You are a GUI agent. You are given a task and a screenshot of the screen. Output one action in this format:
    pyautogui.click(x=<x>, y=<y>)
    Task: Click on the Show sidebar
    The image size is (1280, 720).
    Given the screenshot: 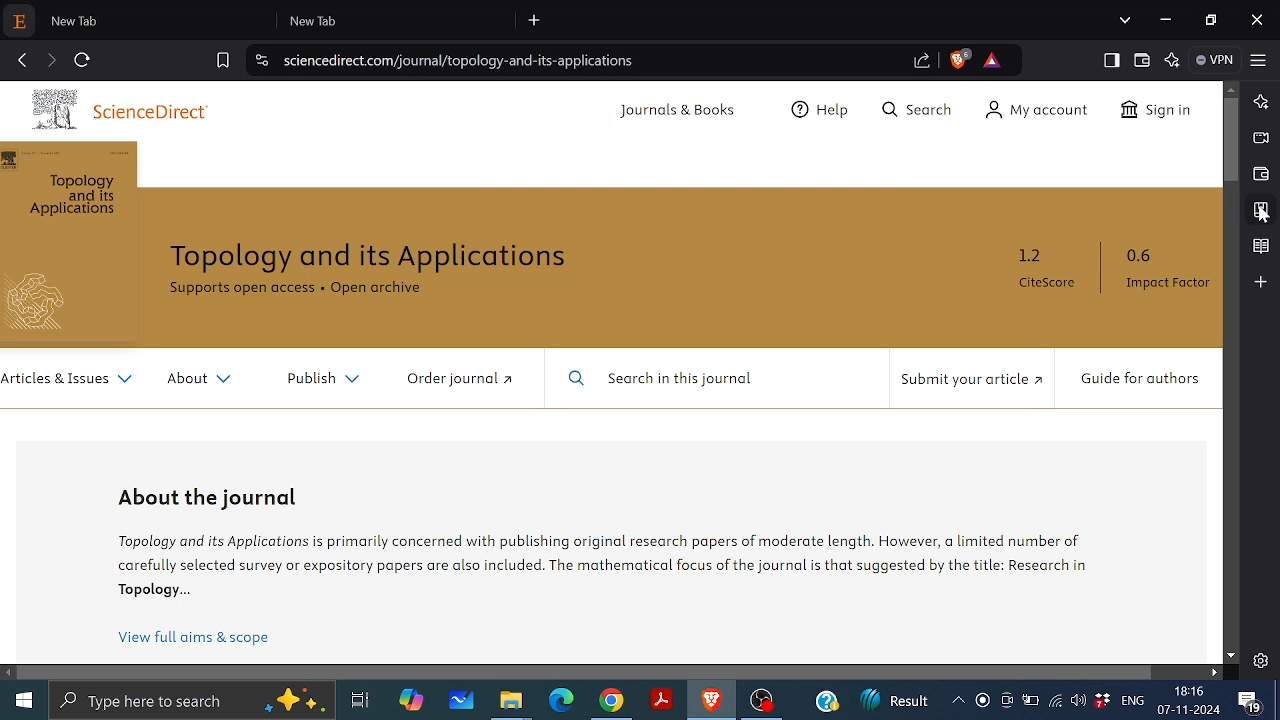 What is the action you would take?
    pyautogui.click(x=1109, y=60)
    